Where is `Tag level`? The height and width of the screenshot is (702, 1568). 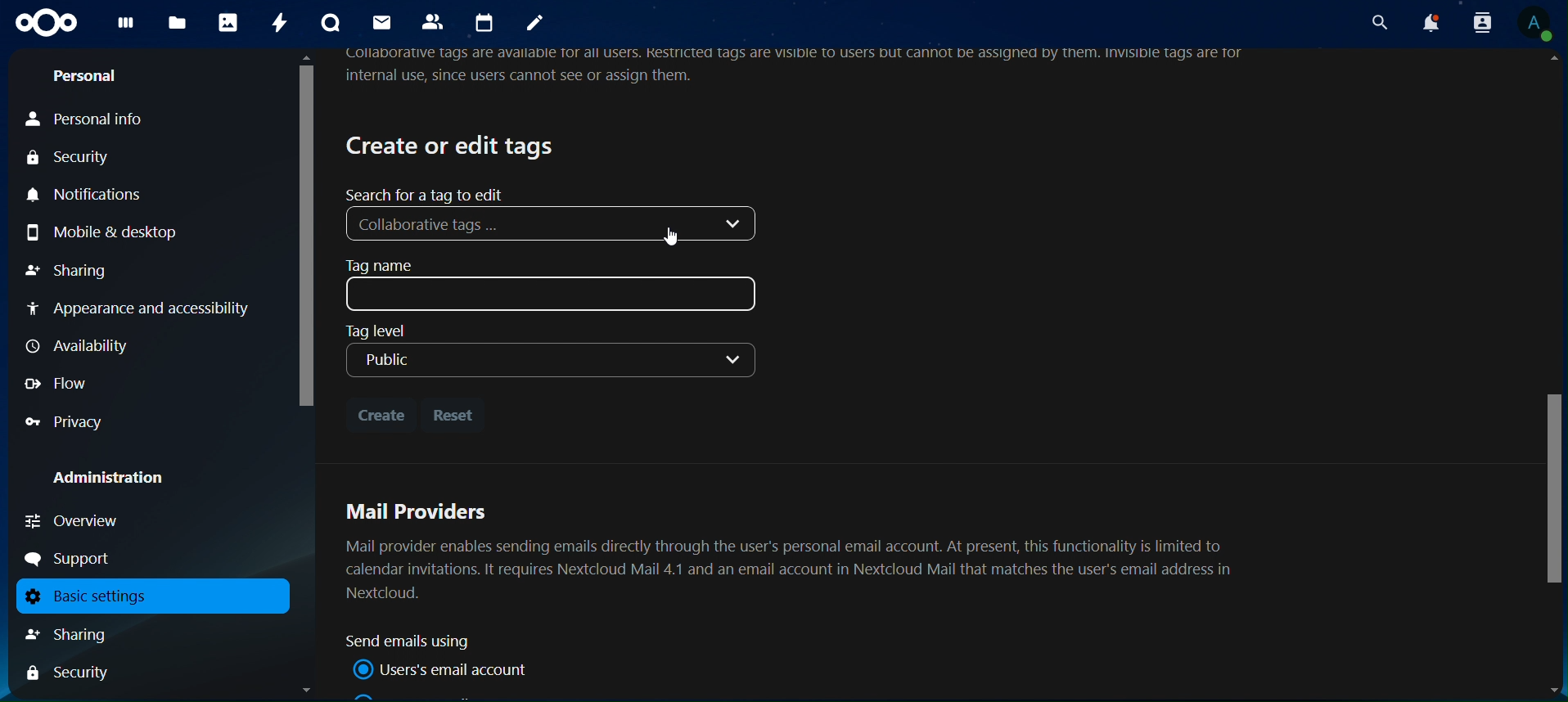
Tag level is located at coordinates (376, 331).